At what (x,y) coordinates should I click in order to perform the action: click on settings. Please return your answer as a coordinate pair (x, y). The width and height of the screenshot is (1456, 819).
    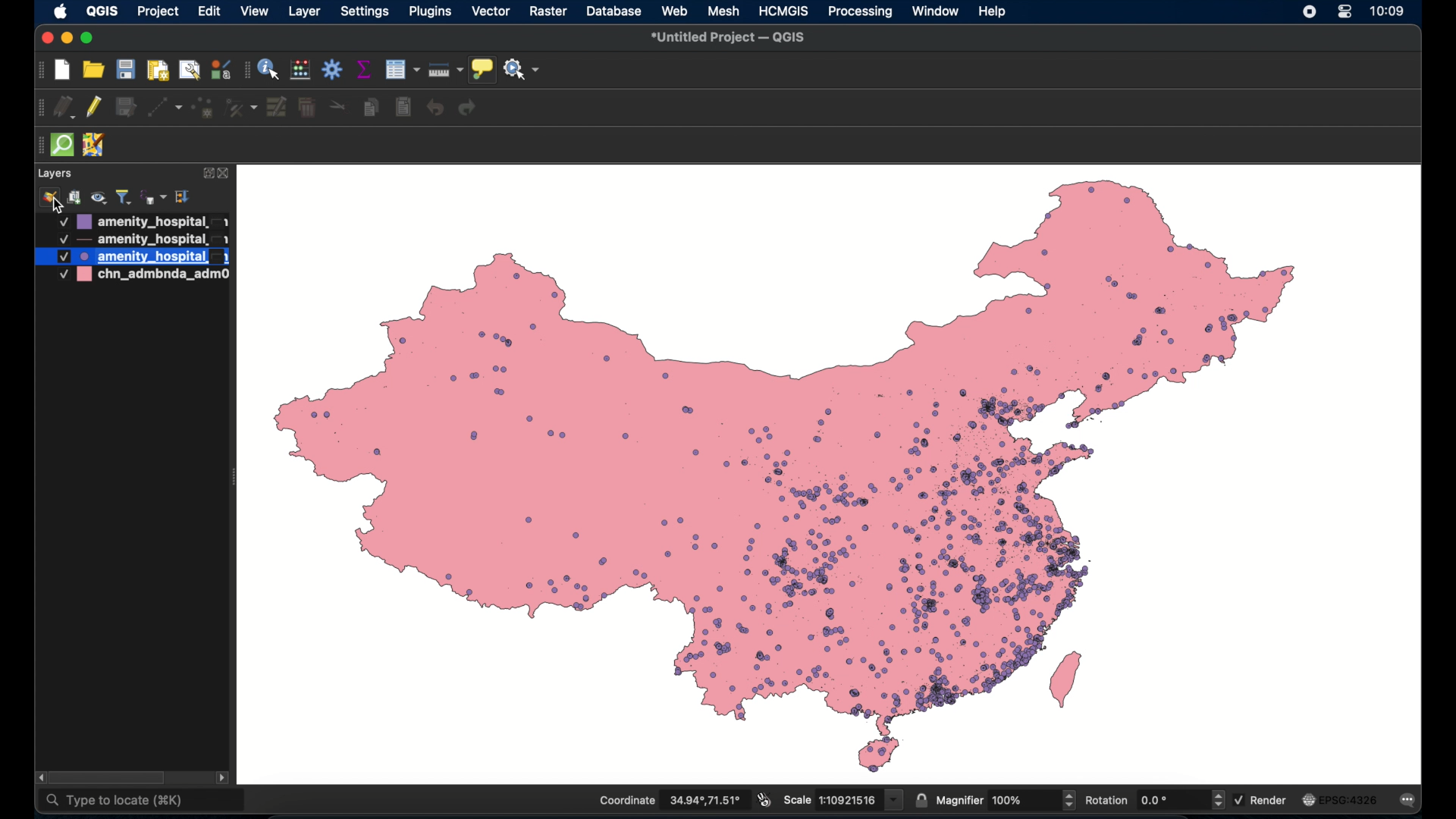
    Looking at the image, I should click on (366, 12).